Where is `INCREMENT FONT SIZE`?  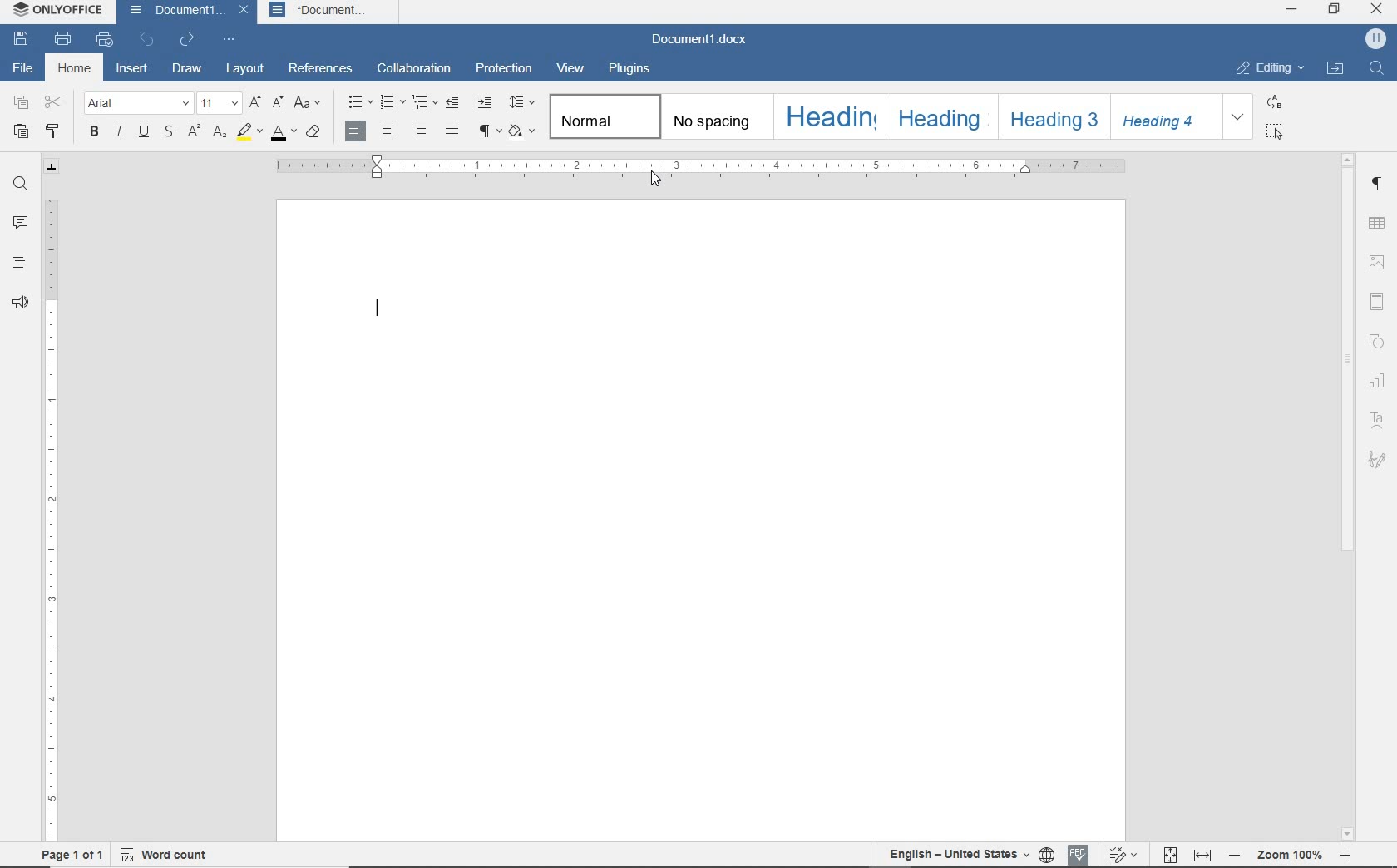 INCREMENT FONT SIZE is located at coordinates (255, 104).